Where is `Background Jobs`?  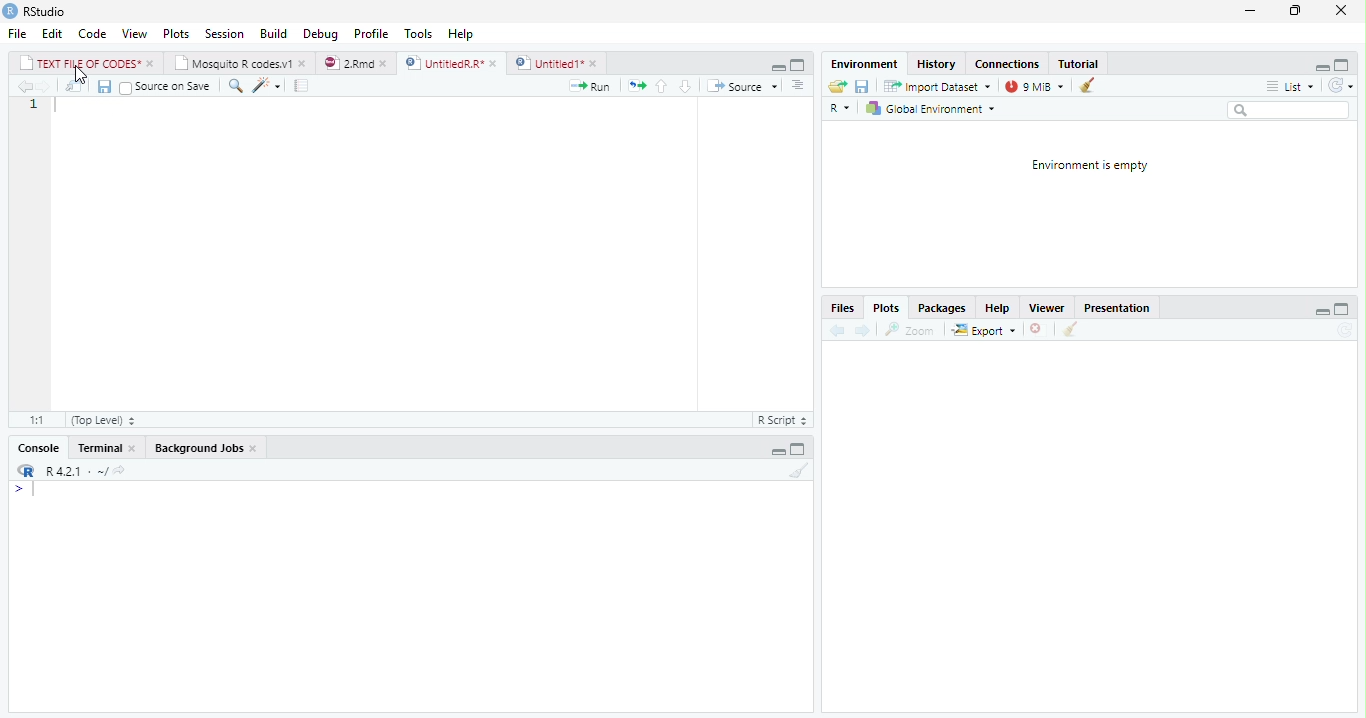 Background Jobs is located at coordinates (205, 450).